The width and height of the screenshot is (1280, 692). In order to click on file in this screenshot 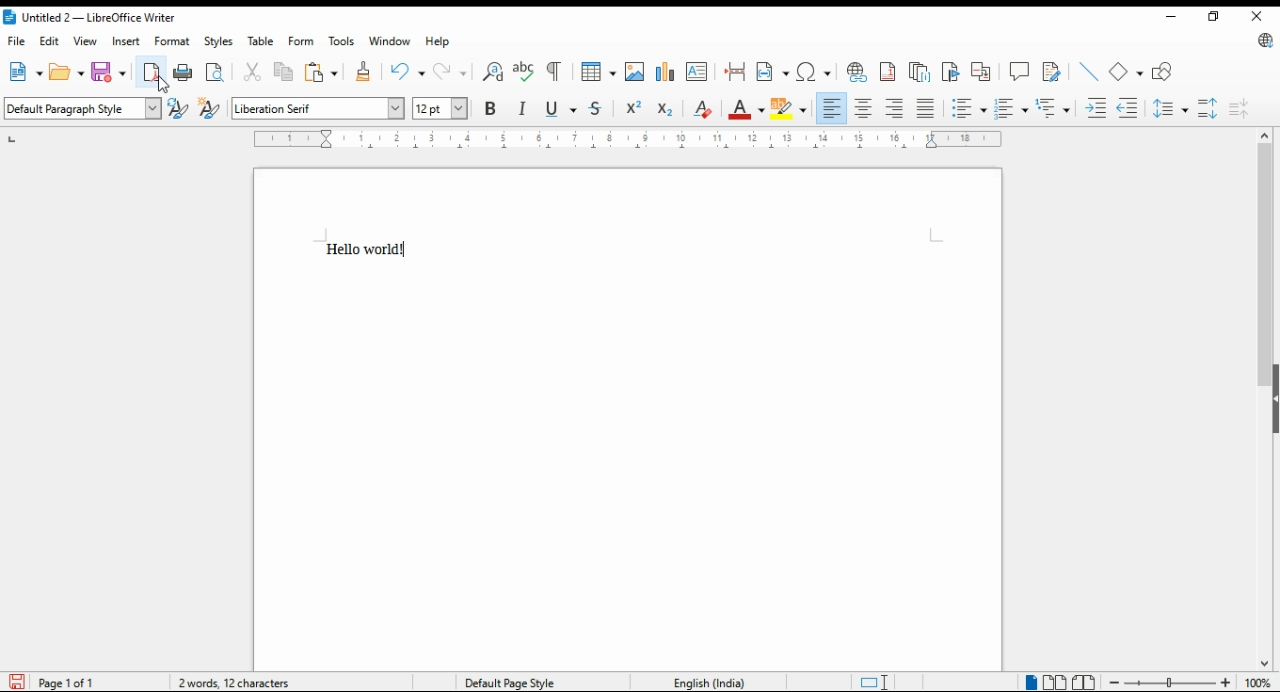, I will do `click(16, 40)`.